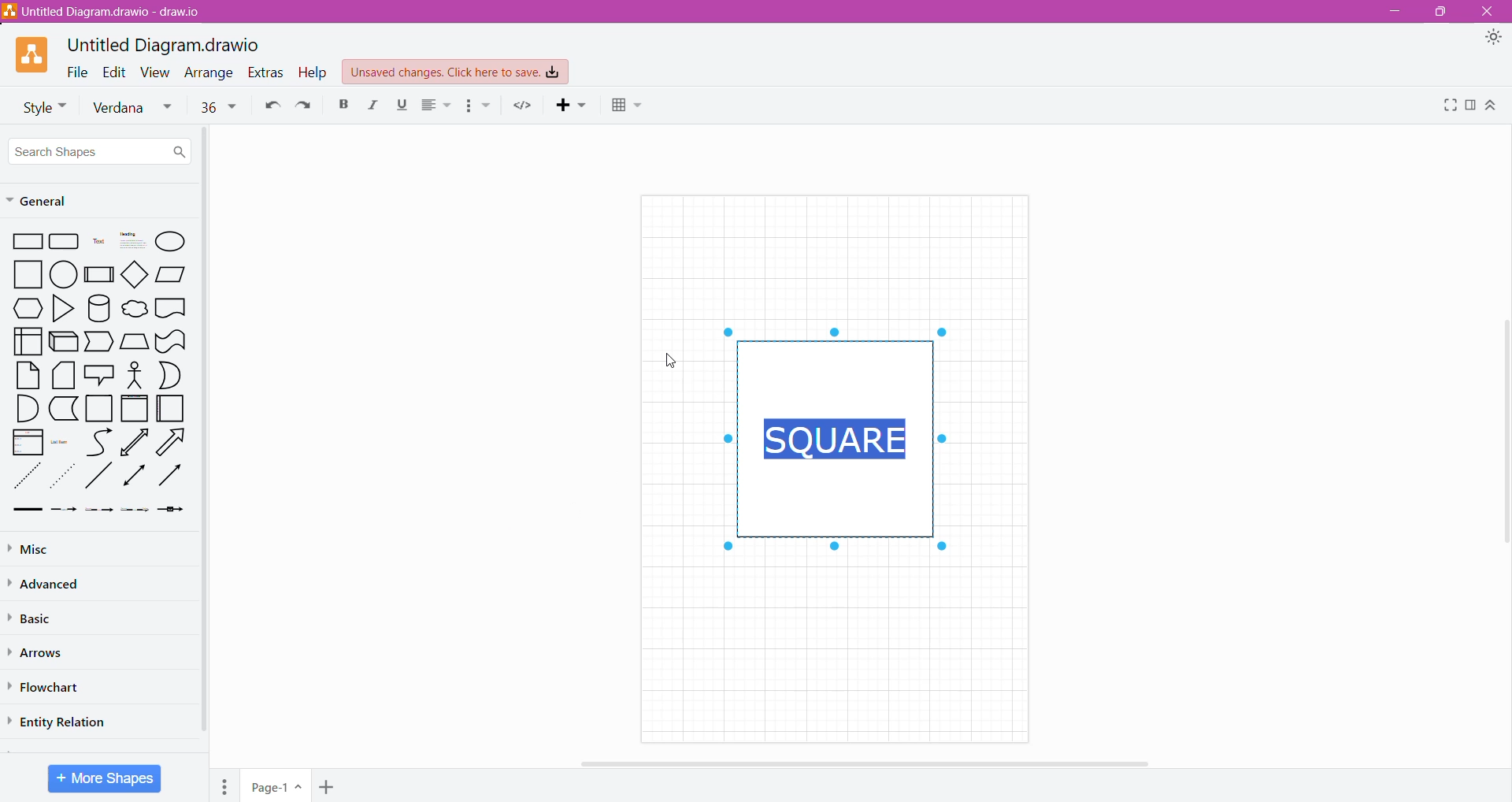  I want to click on Thin Arrow, so click(100, 512).